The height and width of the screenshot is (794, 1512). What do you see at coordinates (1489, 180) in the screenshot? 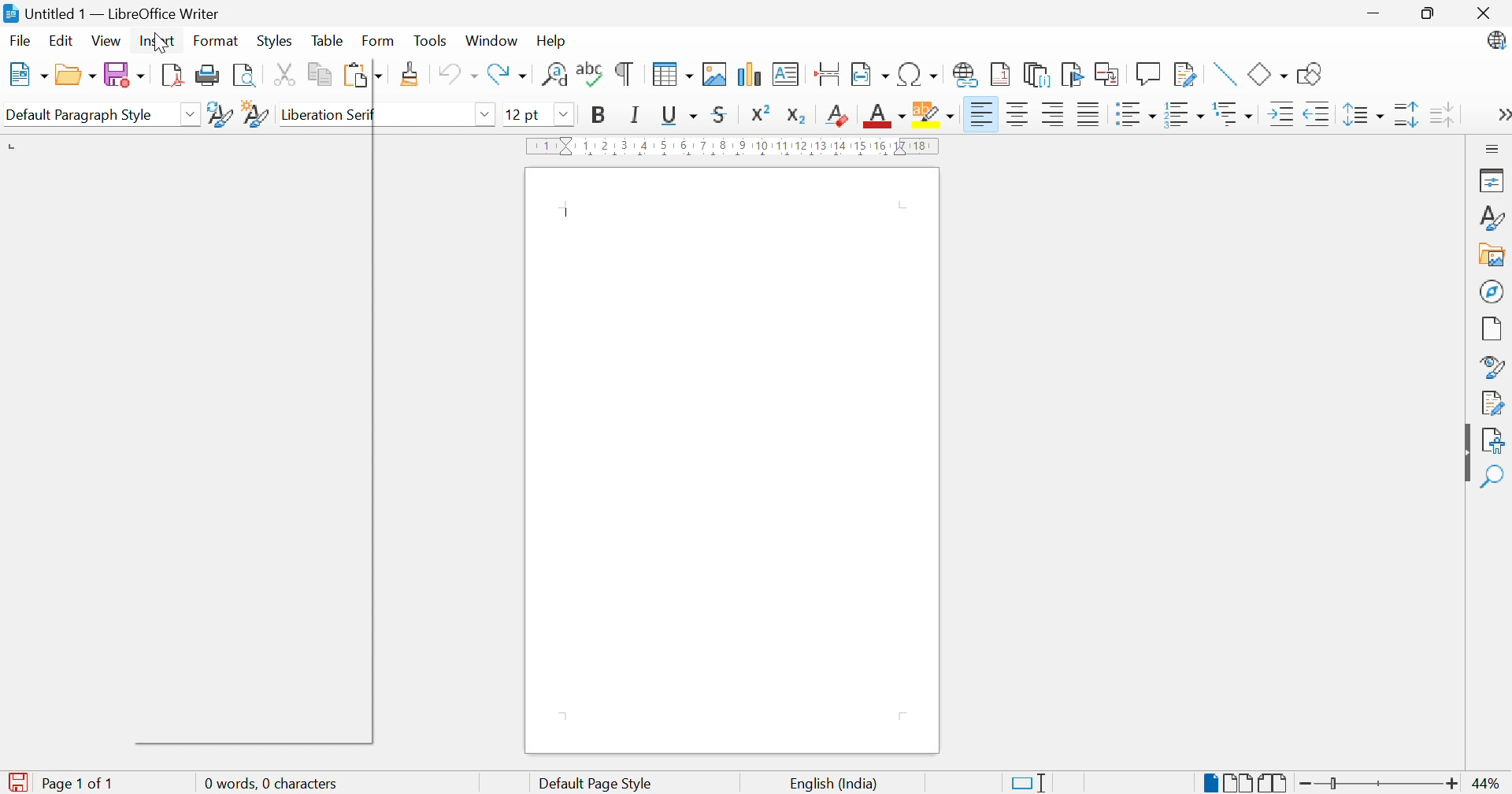
I see `Properties` at bounding box center [1489, 180].